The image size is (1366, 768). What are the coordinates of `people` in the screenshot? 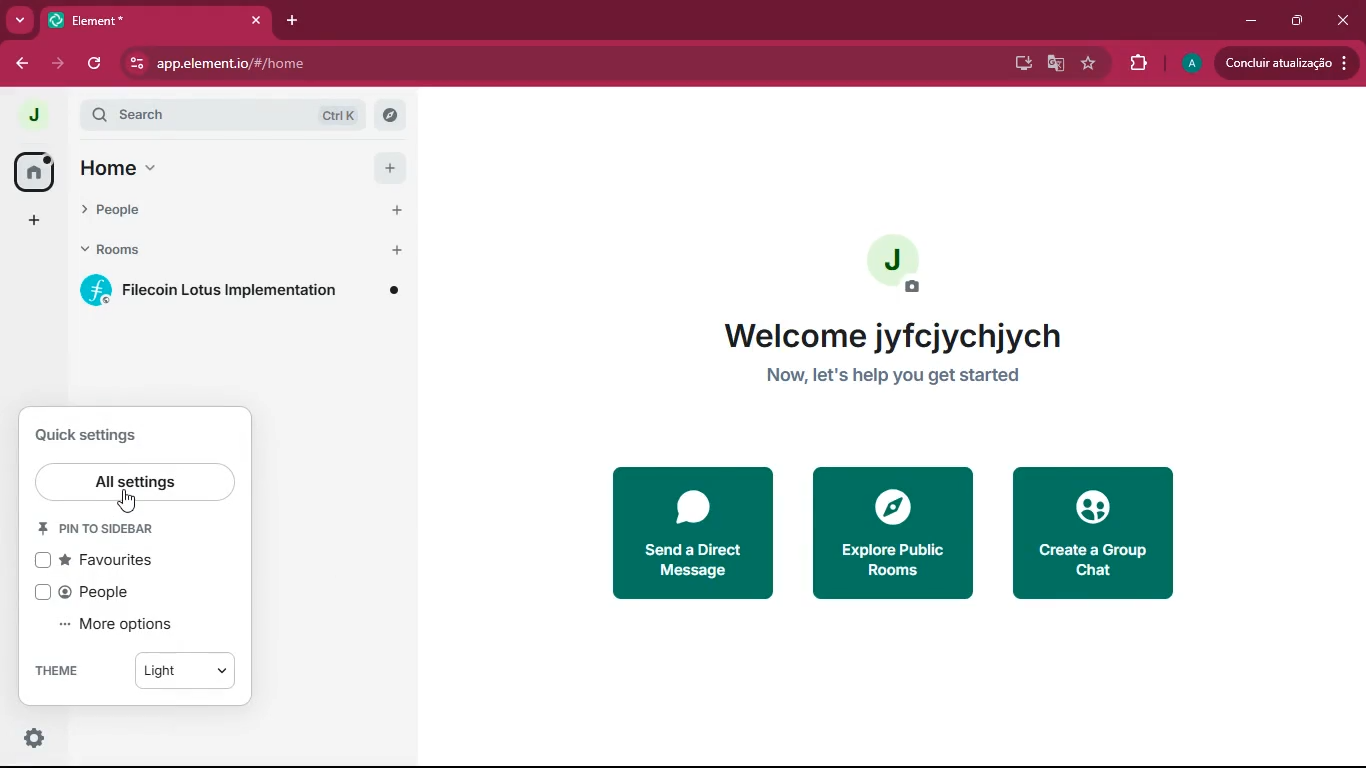 It's located at (97, 591).